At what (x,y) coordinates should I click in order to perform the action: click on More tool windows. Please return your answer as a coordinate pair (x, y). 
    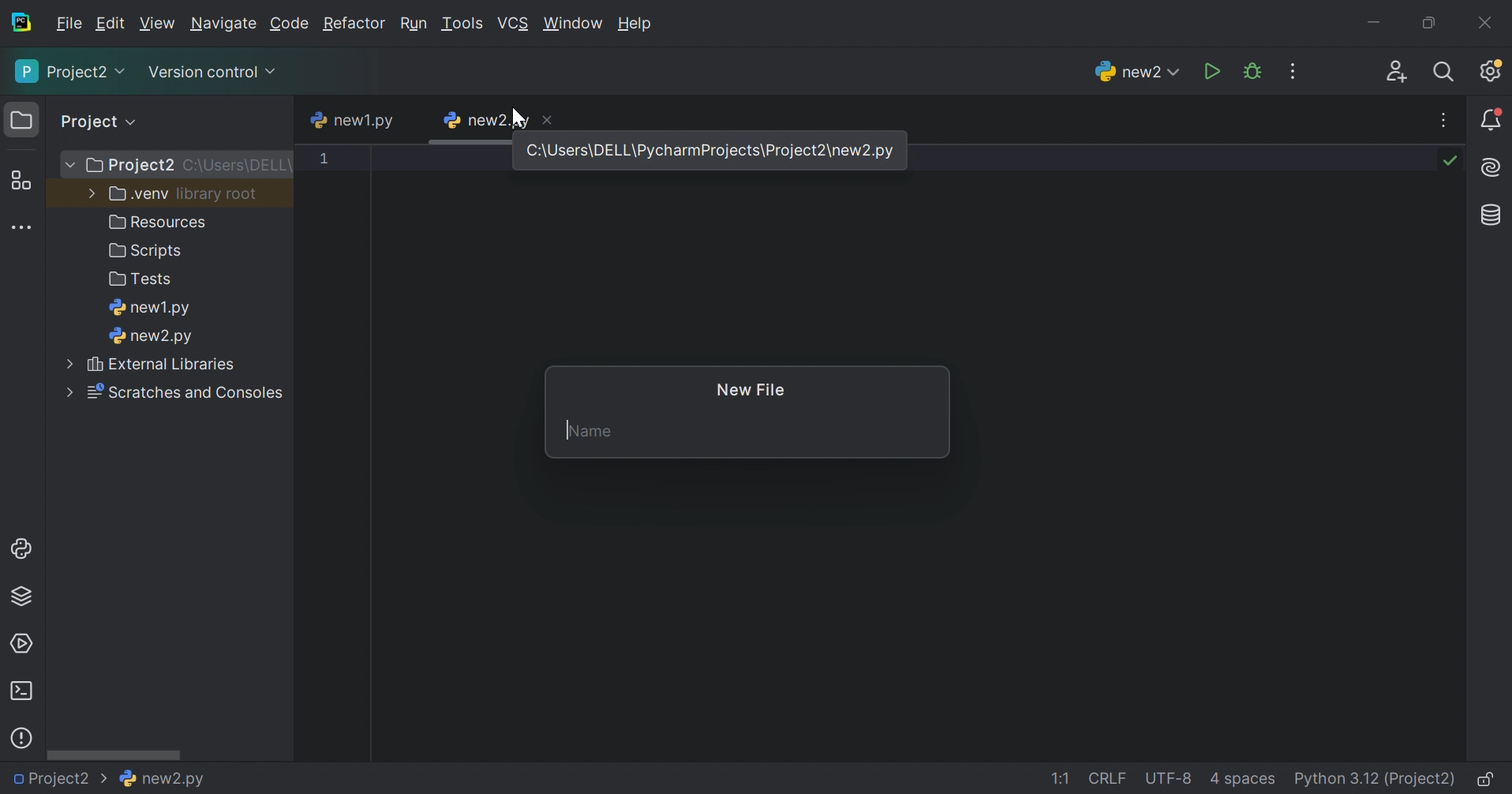
    Looking at the image, I should click on (21, 227).